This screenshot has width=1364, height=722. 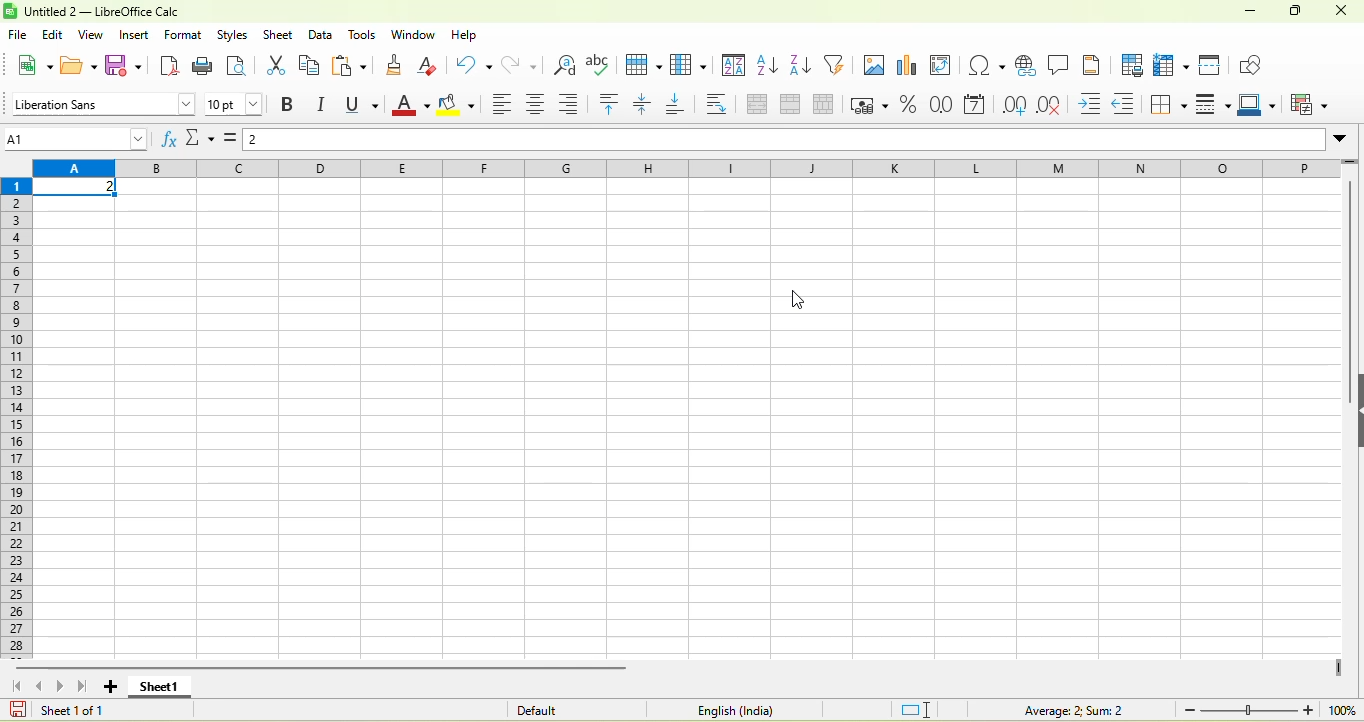 I want to click on default, so click(x=563, y=709).